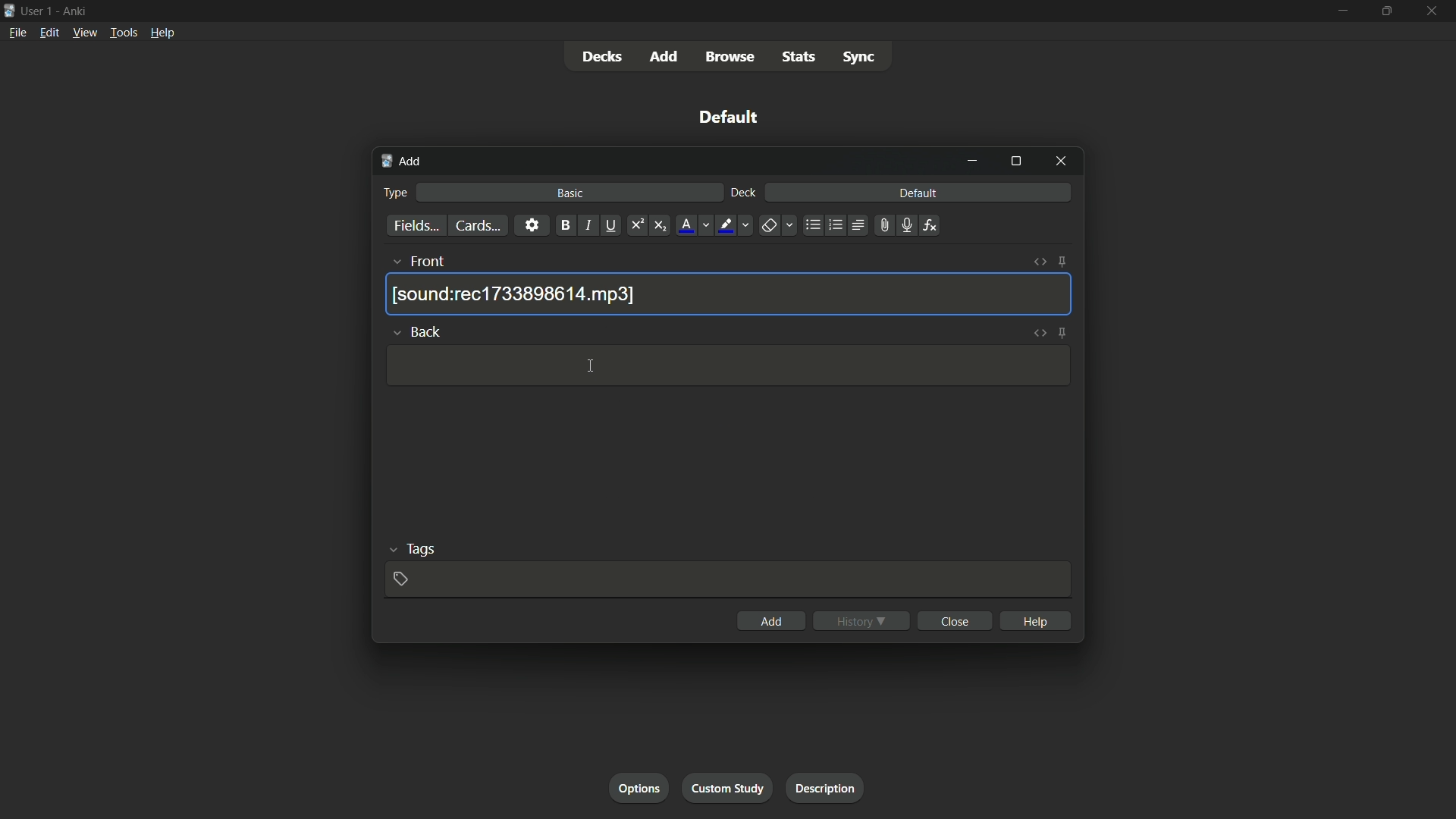 This screenshot has width=1456, height=819. What do you see at coordinates (662, 225) in the screenshot?
I see `subscript` at bounding box center [662, 225].